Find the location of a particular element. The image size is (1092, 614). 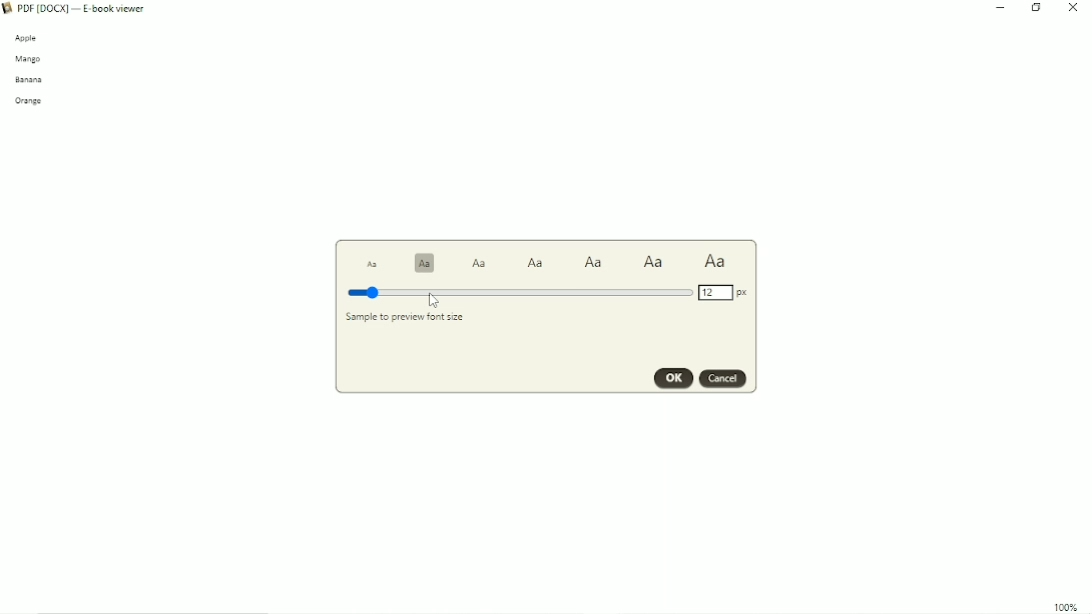

Text size is located at coordinates (537, 263).